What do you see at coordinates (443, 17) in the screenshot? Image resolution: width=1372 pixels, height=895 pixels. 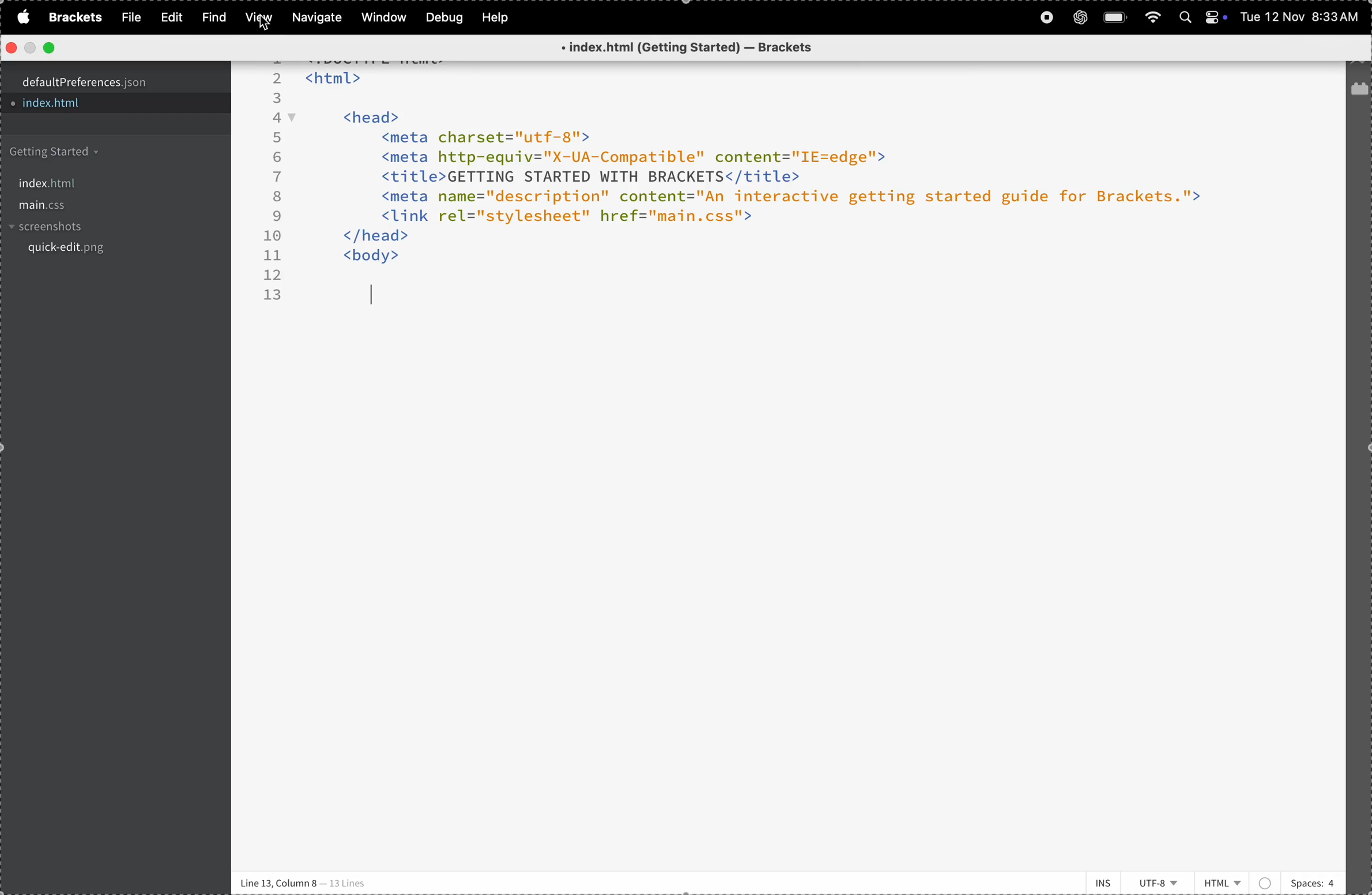 I see `debug` at bounding box center [443, 17].